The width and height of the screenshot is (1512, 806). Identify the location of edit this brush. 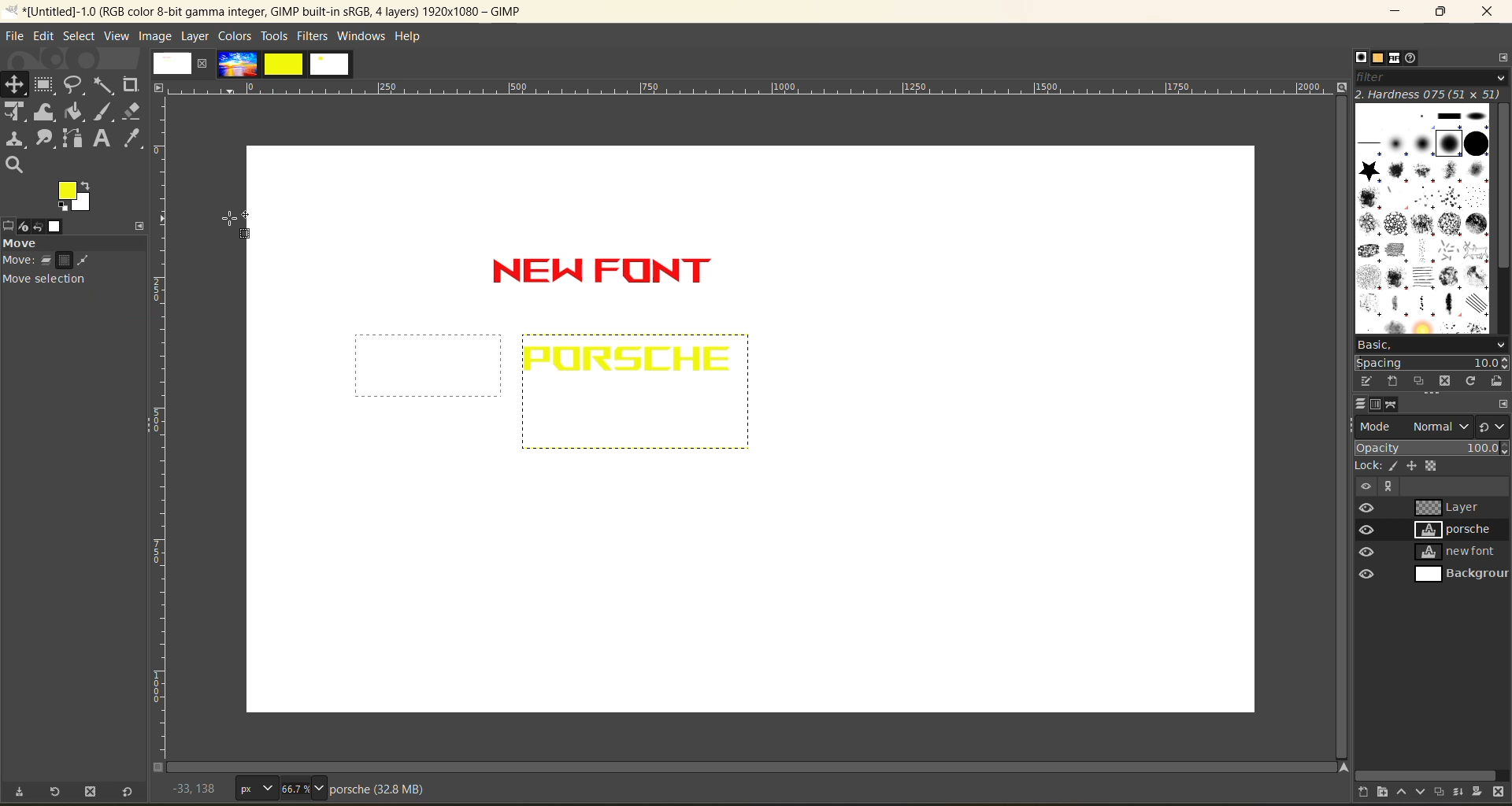
(1358, 381).